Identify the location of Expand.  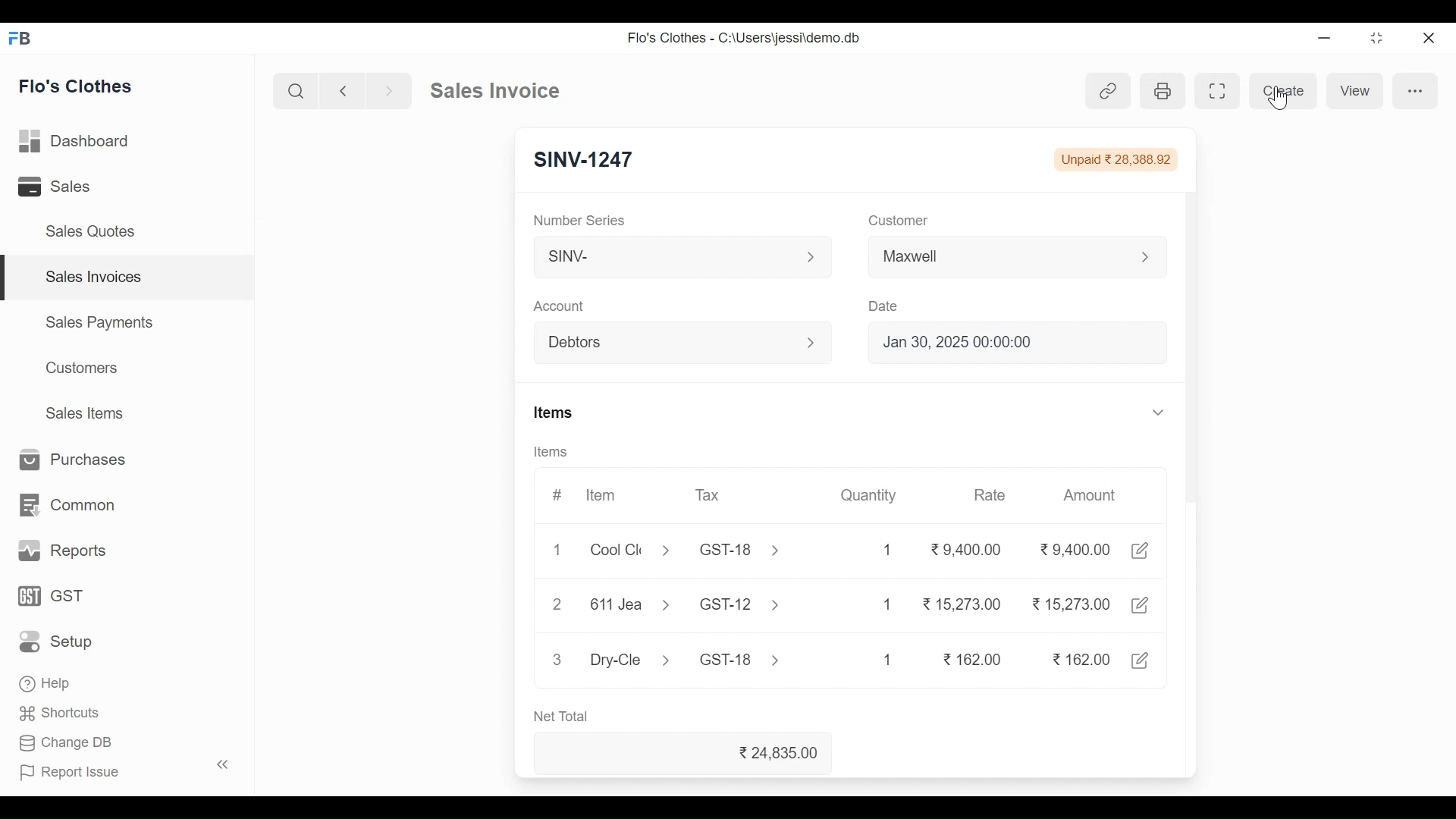
(813, 342).